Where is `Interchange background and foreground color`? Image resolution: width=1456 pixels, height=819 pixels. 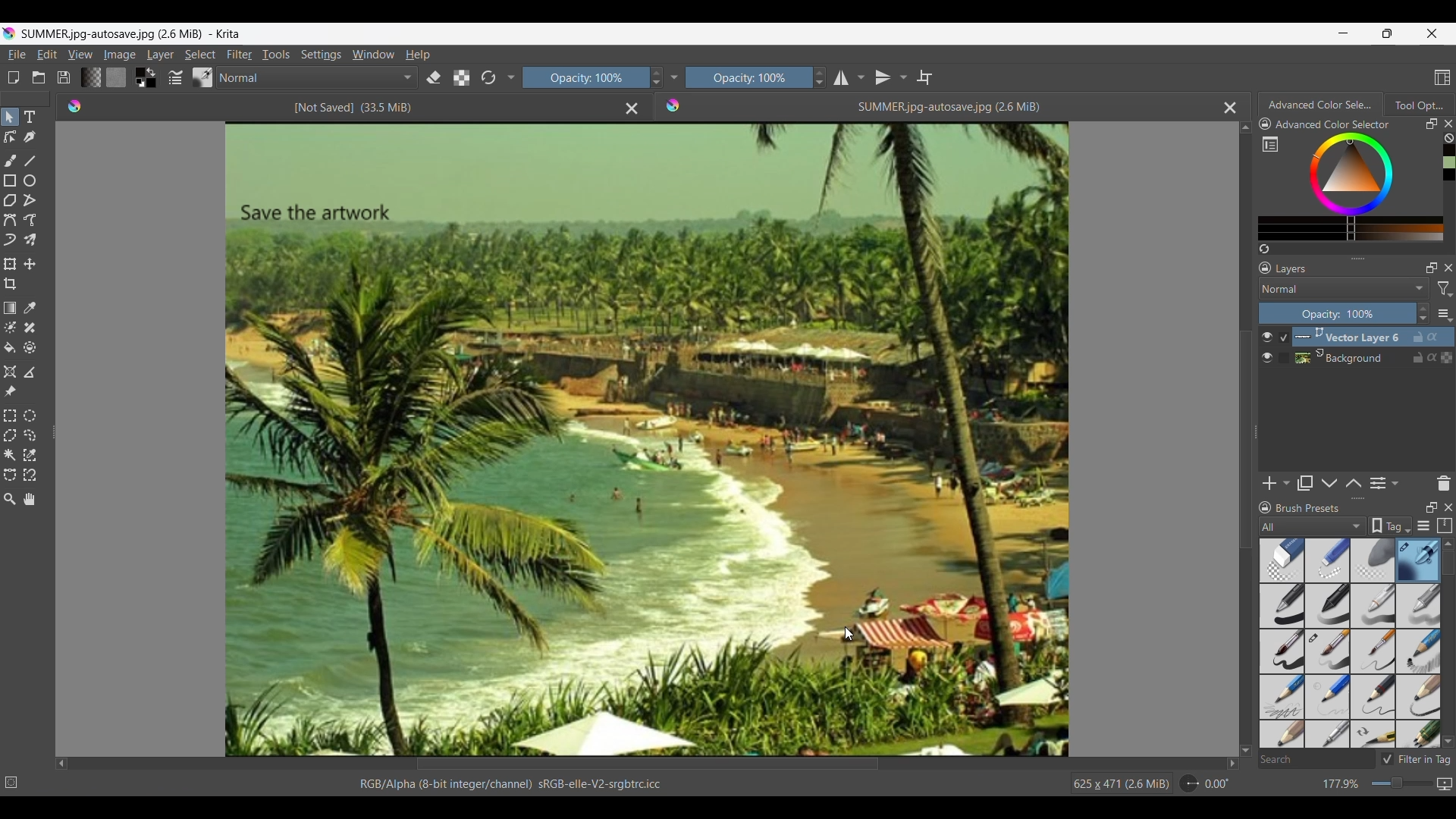 Interchange background and foreground color is located at coordinates (152, 72).